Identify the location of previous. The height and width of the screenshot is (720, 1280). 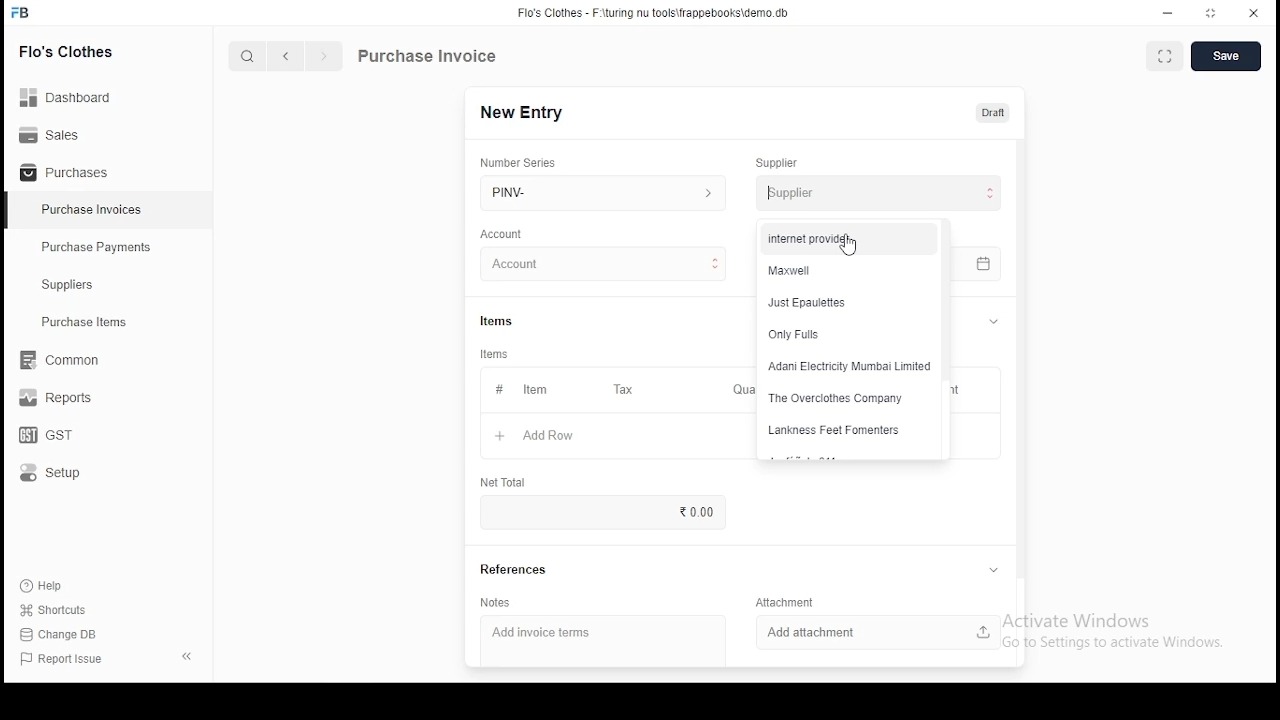
(287, 57).